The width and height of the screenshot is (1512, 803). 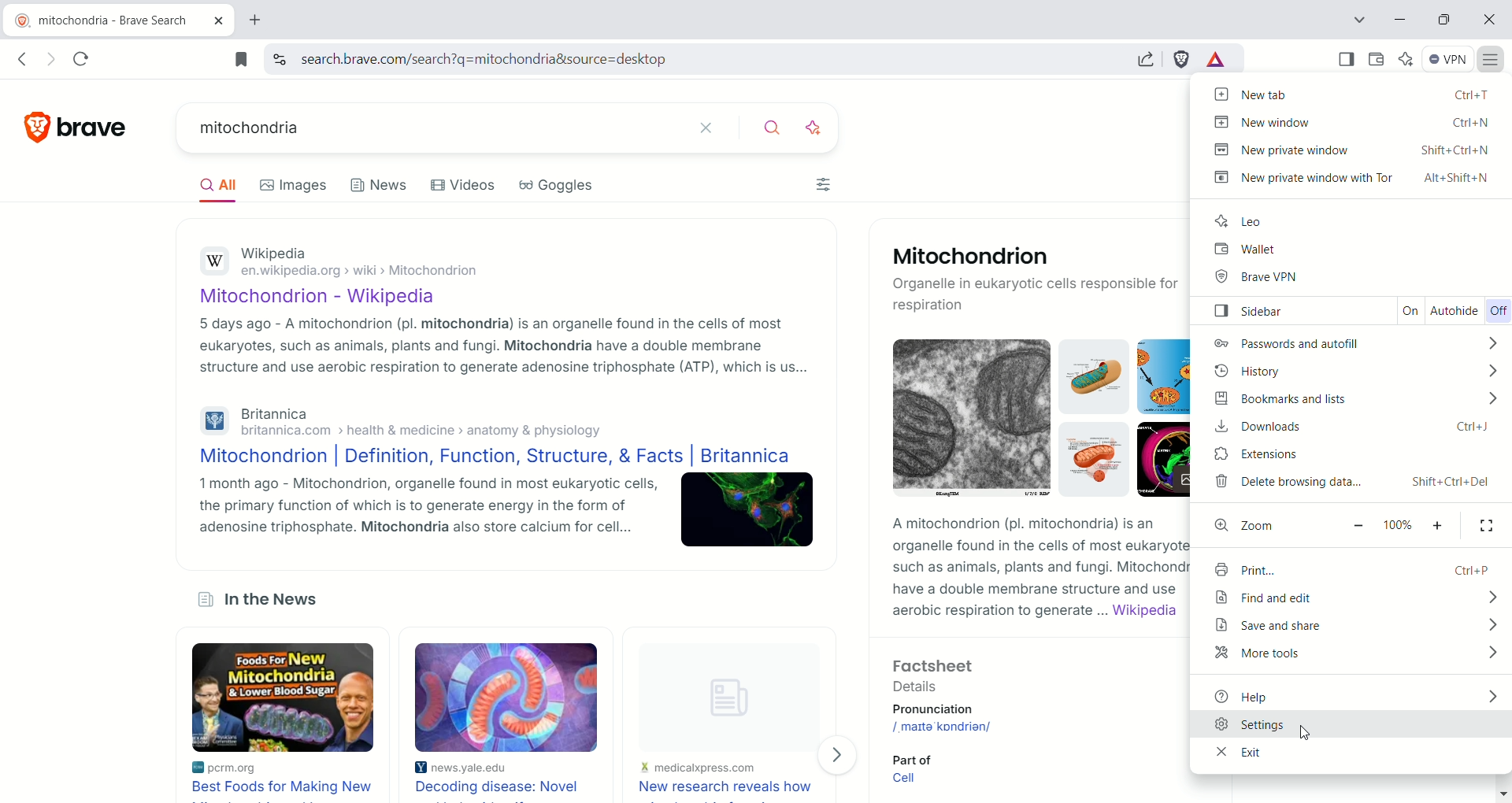 What do you see at coordinates (20, 58) in the screenshot?
I see `go back` at bounding box center [20, 58].